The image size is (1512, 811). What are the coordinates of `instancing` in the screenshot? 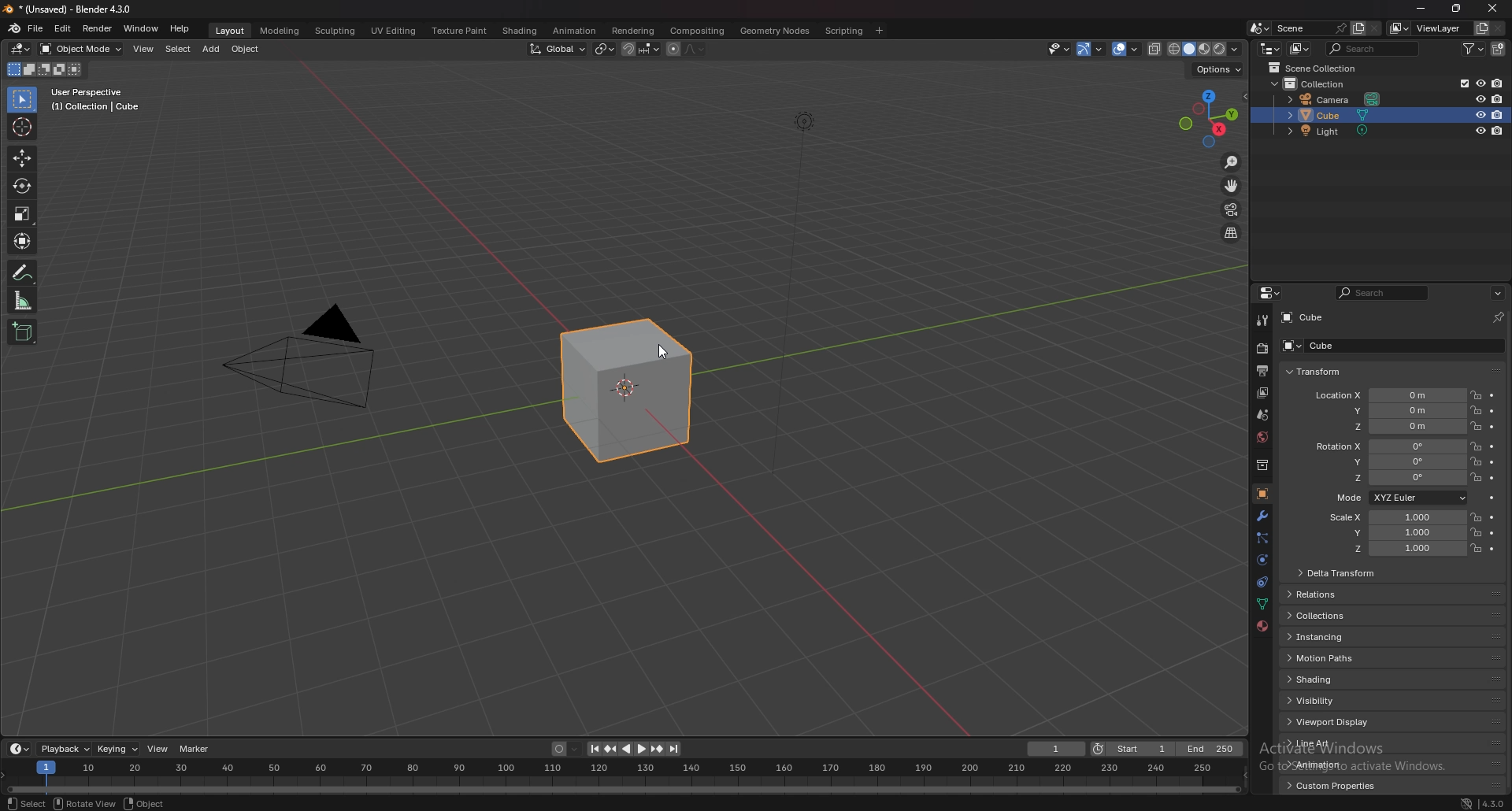 It's located at (1329, 639).